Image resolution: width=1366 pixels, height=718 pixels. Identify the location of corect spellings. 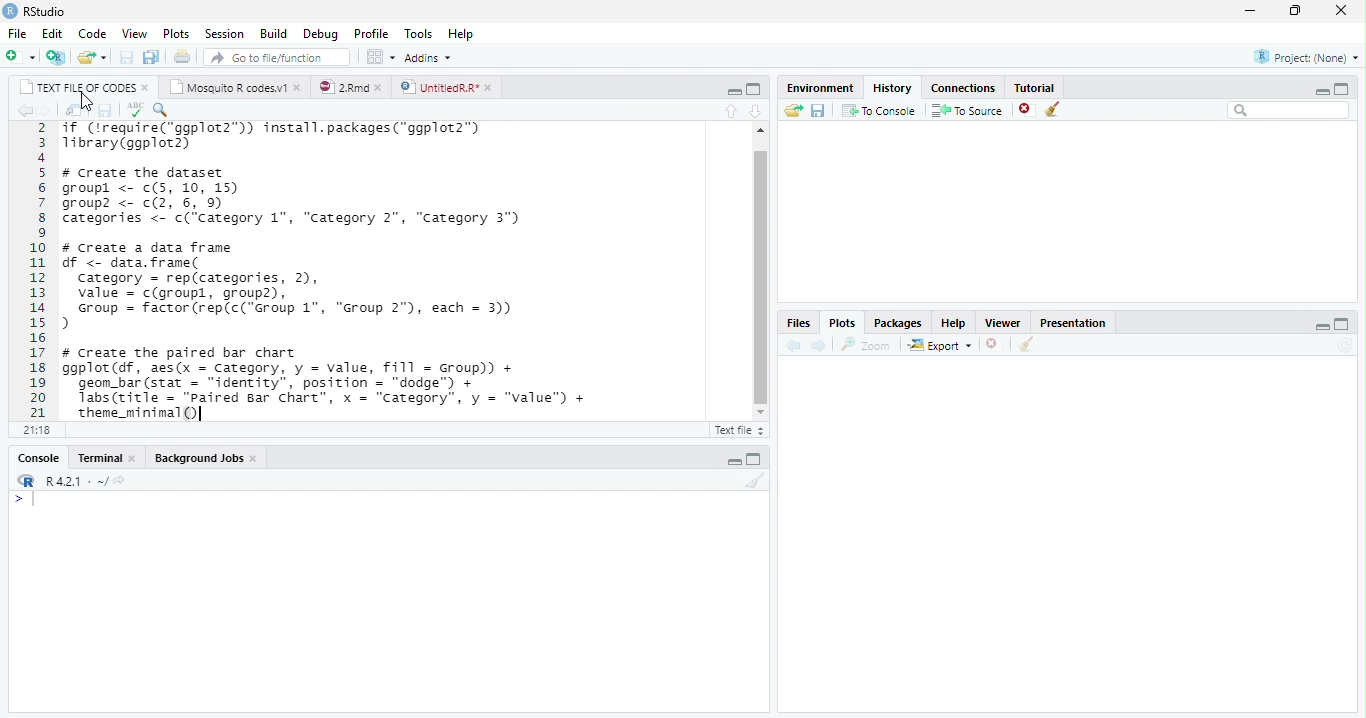
(134, 109).